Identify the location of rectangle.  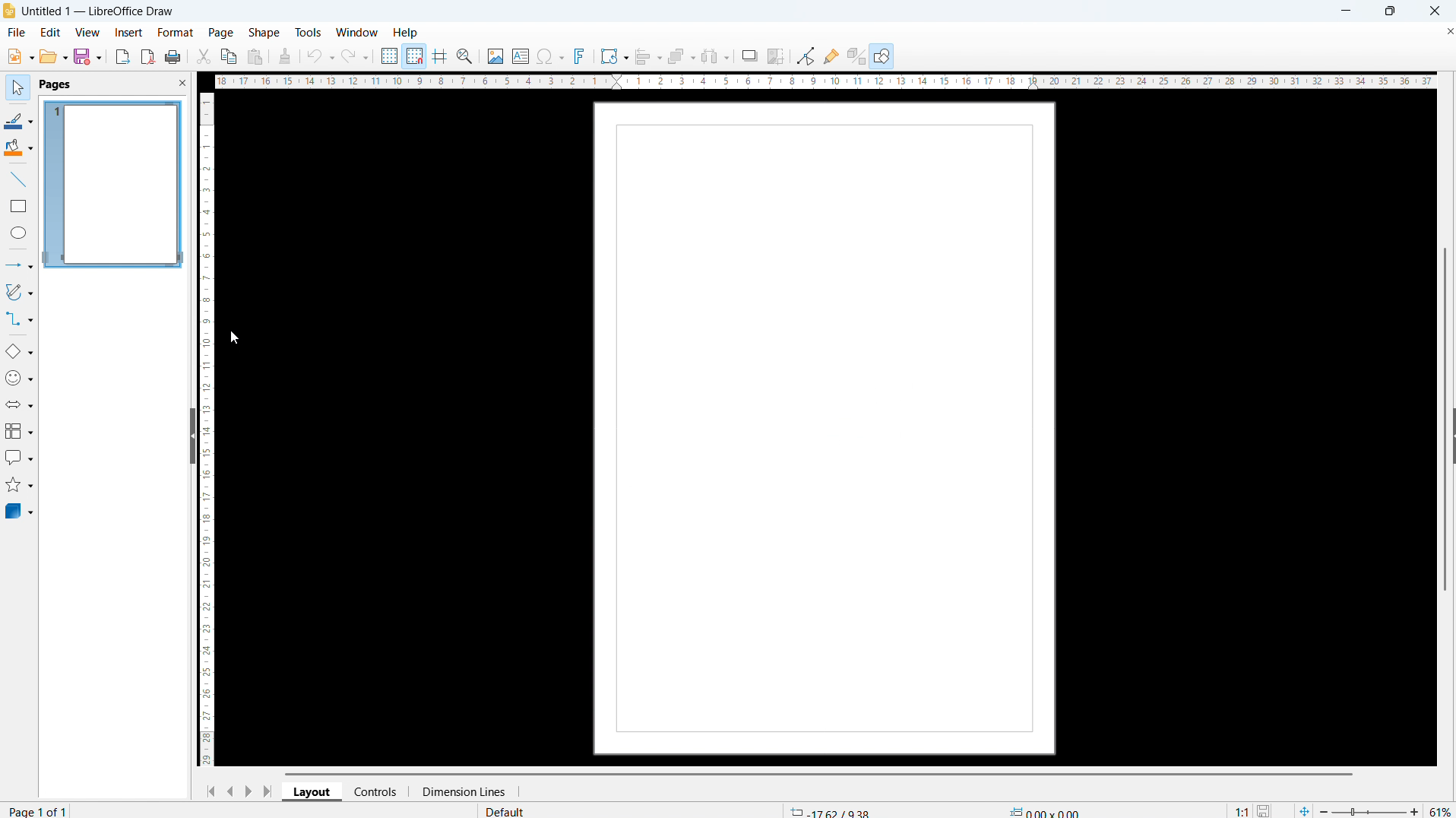
(19, 207).